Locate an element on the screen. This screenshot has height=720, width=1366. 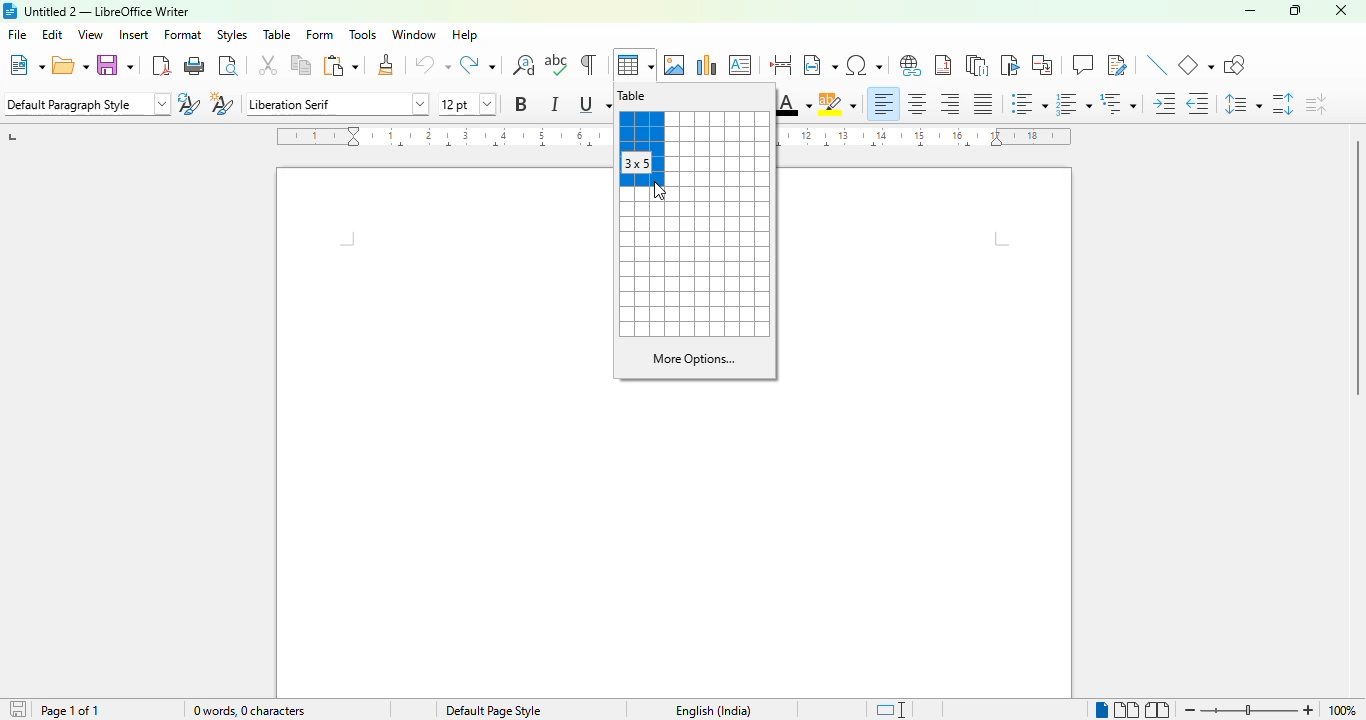
toggle formatting marks is located at coordinates (588, 64).